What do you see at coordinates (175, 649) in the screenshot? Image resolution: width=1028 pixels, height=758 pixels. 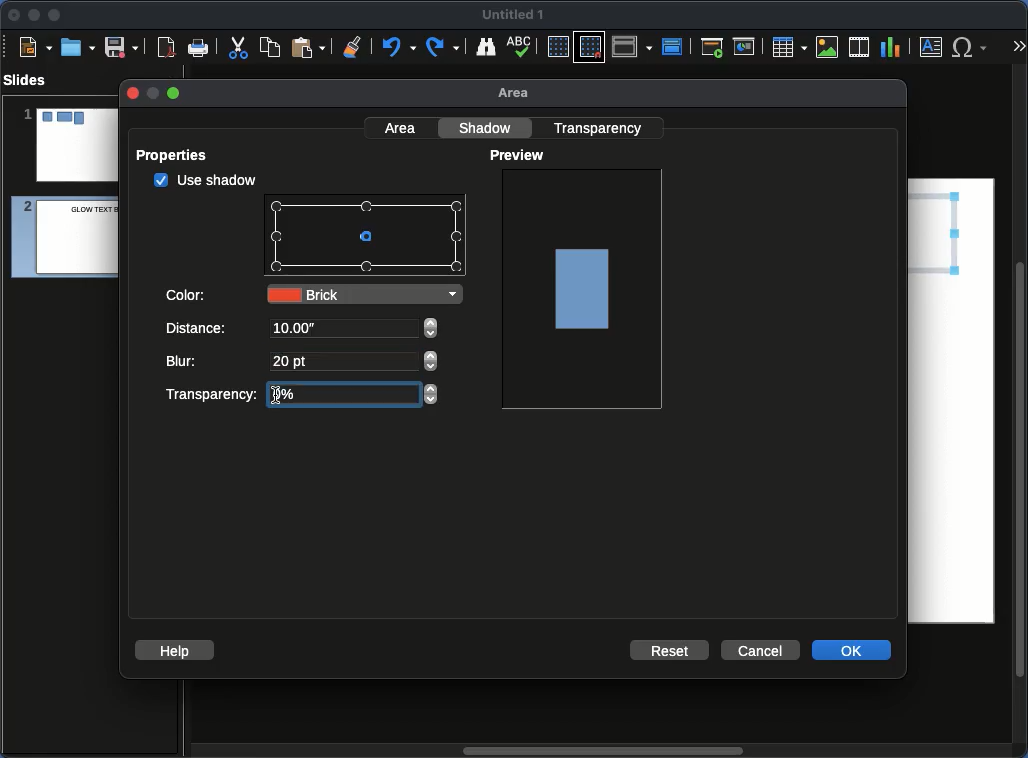 I see `Help` at bounding box center [175, 649].